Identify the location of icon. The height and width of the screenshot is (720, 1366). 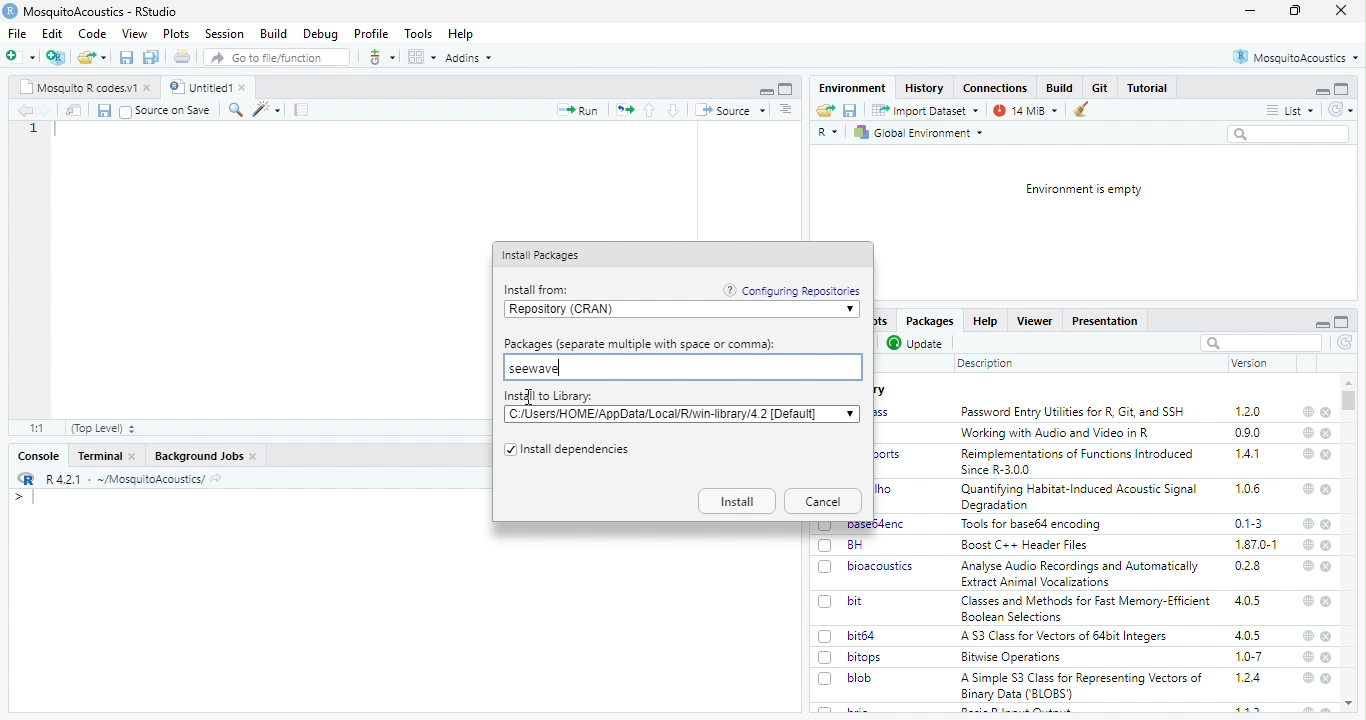
(624, 111).